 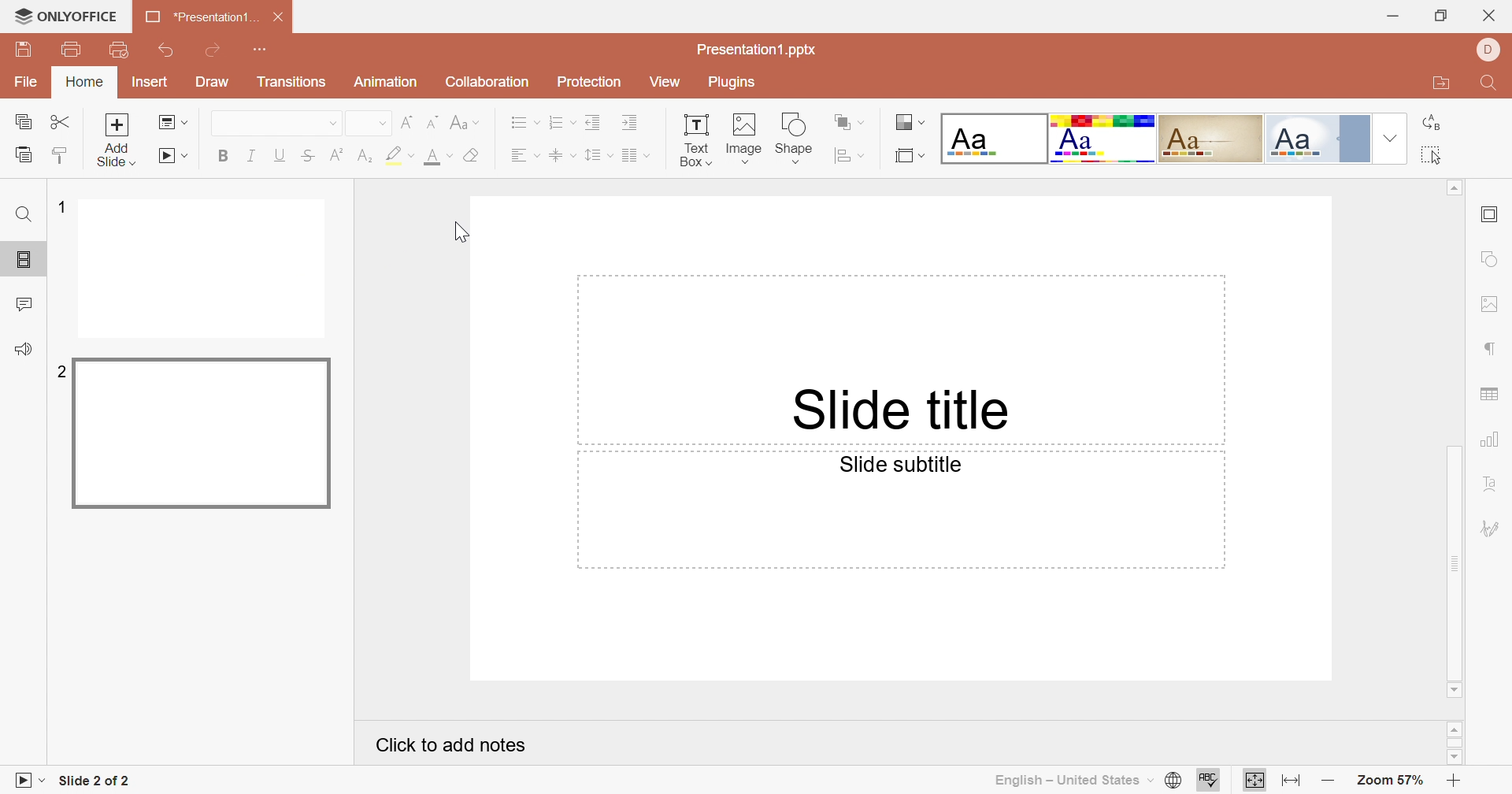 I want to click on Find, so click(x=21, y=212).